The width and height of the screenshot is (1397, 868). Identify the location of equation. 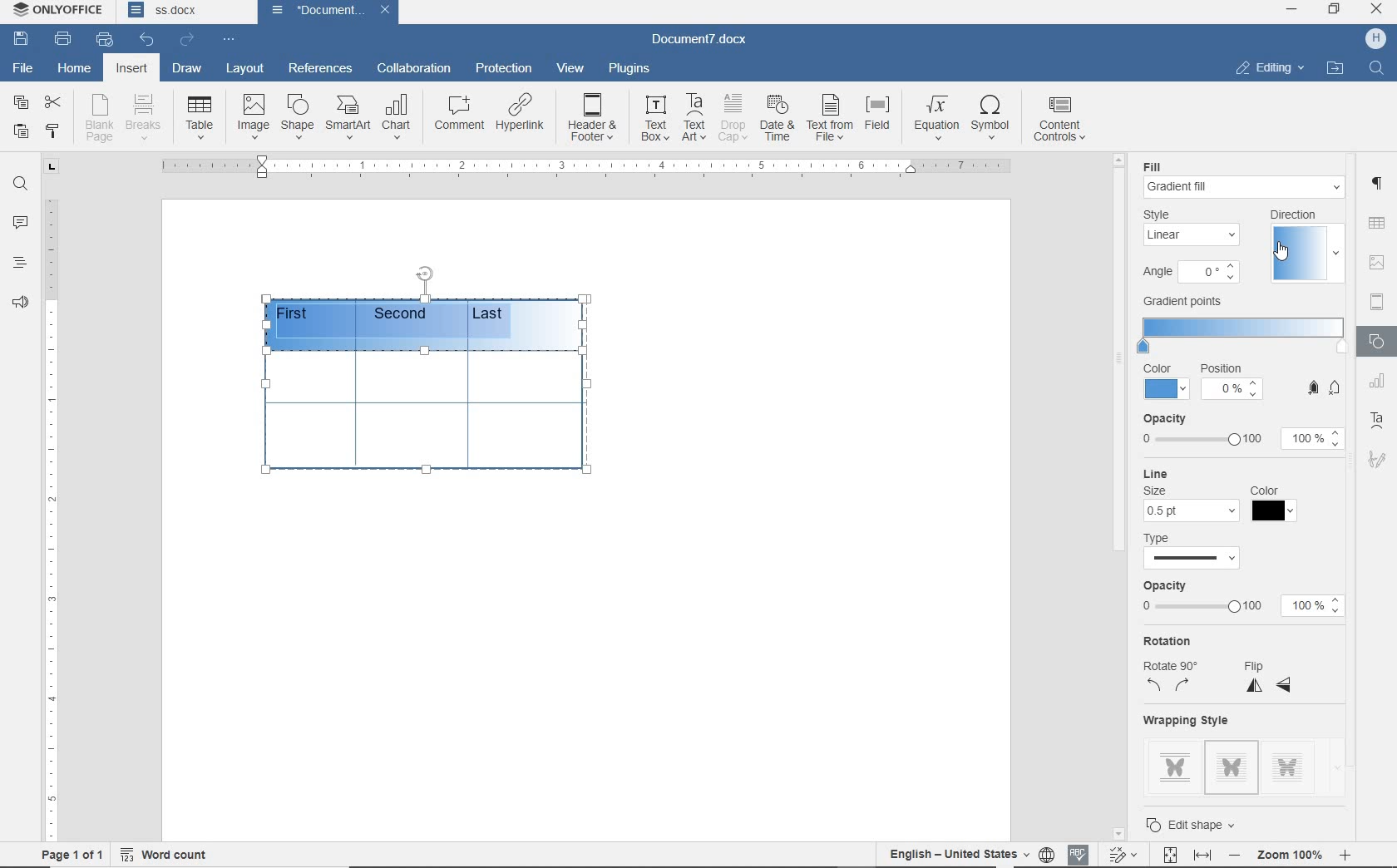
(937, 119).